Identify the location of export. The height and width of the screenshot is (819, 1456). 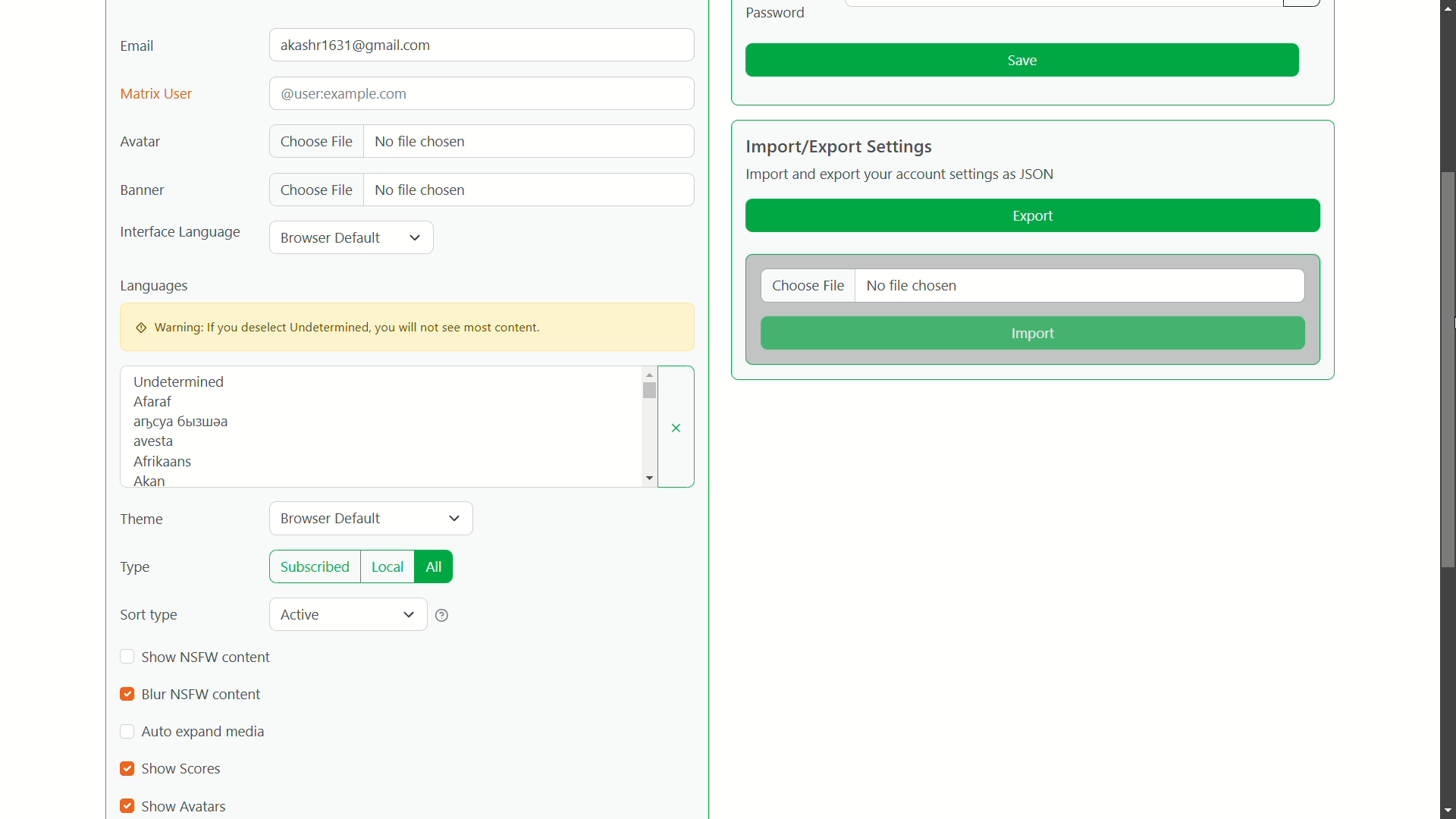
(1034, 217).